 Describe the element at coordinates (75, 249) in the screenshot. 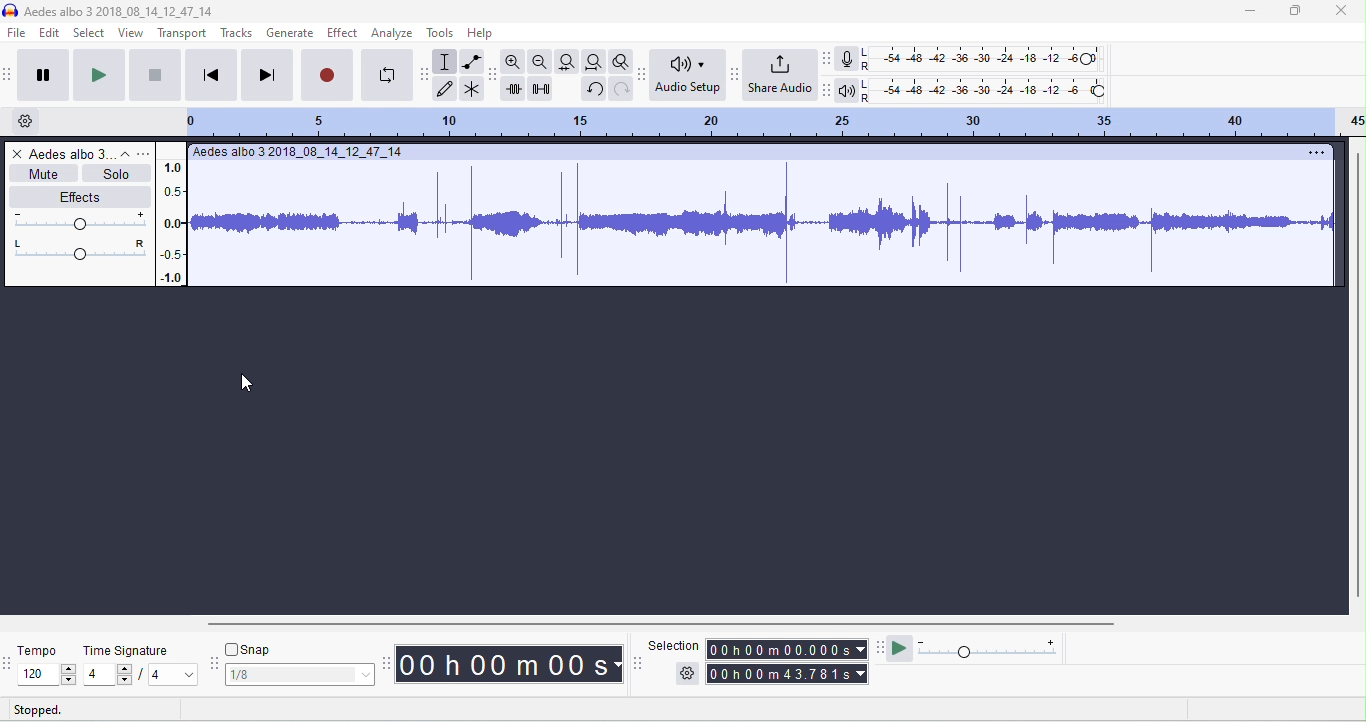

I see `pan` at that location.